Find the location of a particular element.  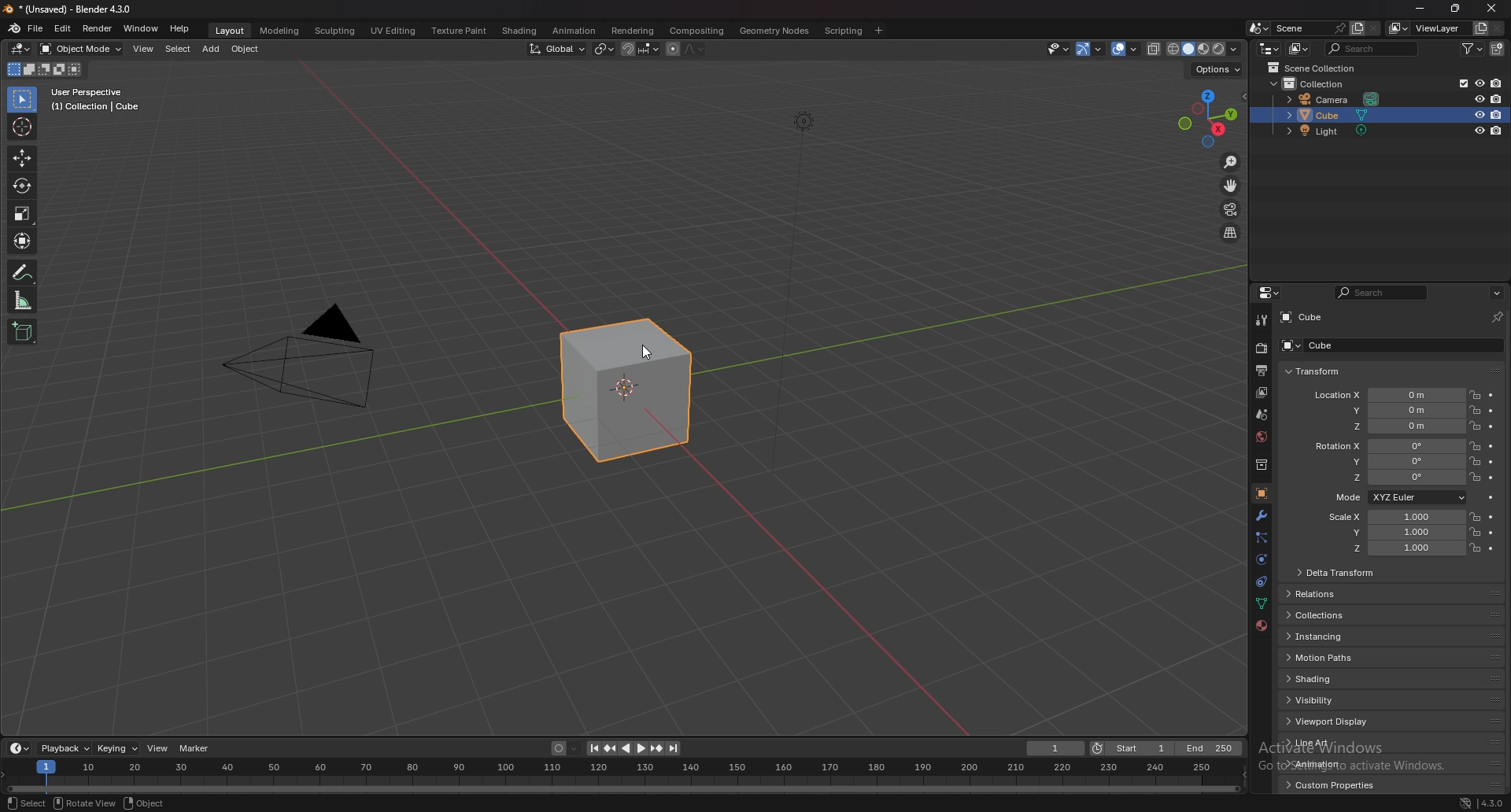

geometry is located at coordinates (776, 31).